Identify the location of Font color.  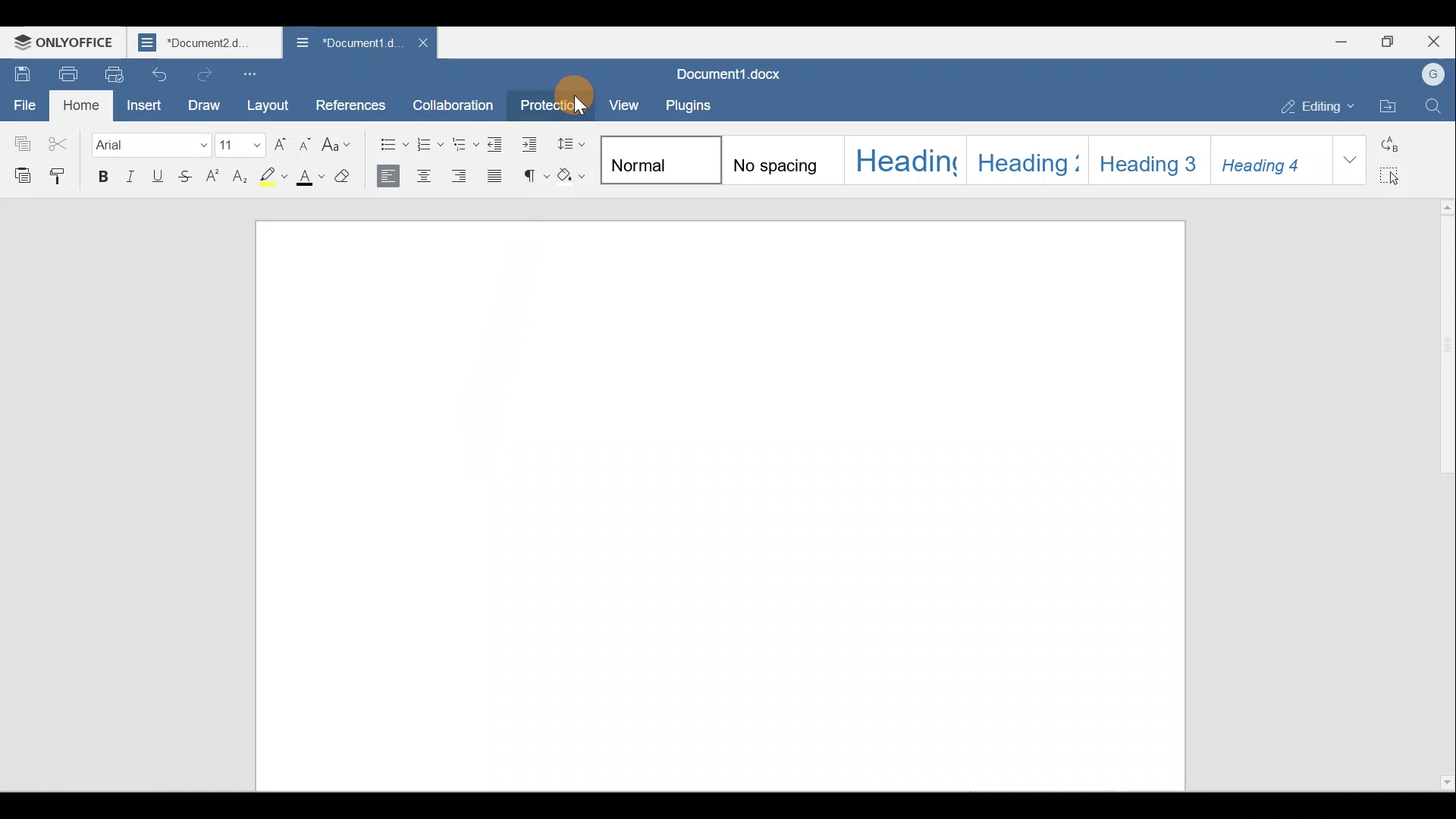
(314, 177).